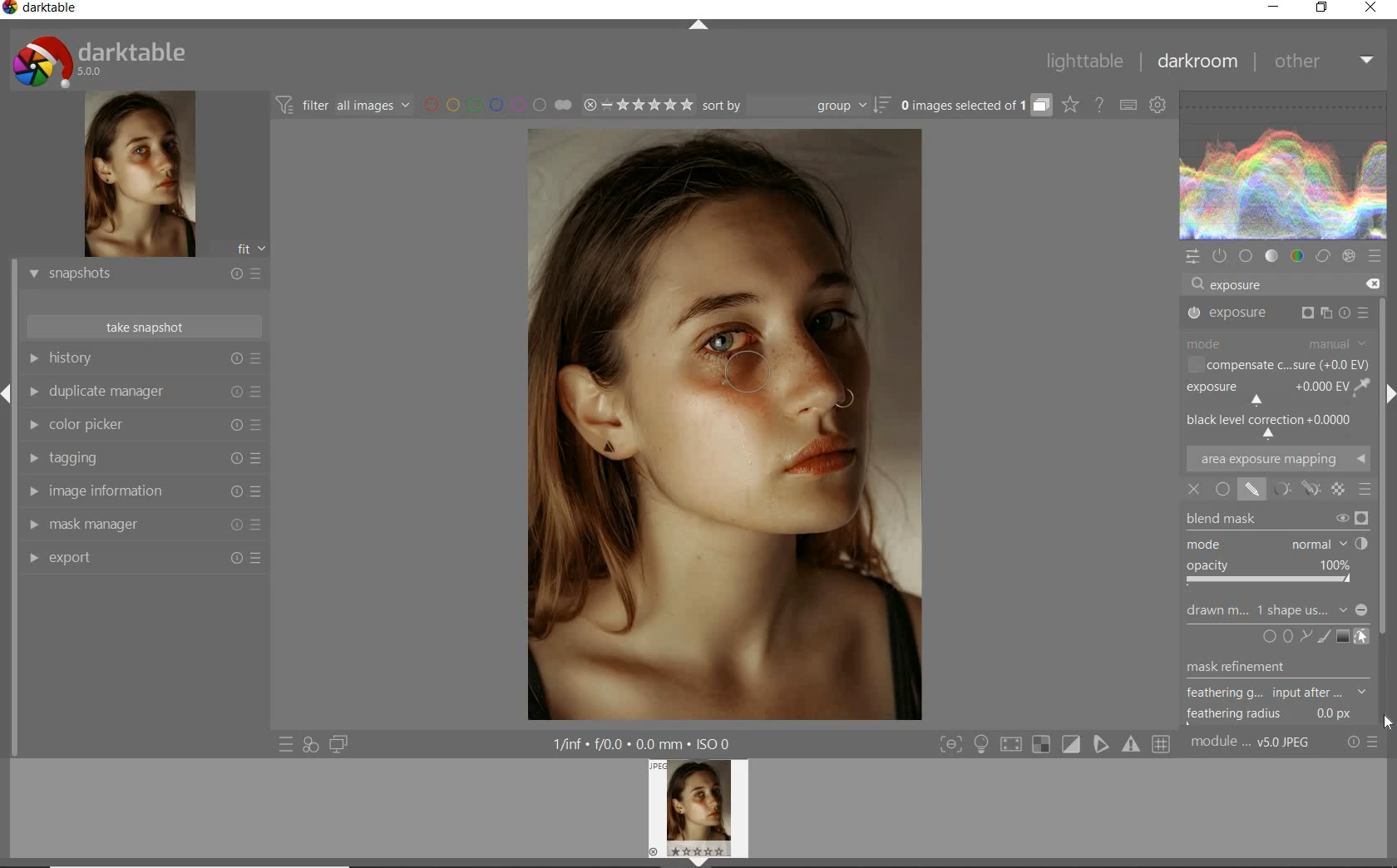  I want to click on EXPOSURE, so click(1261, 393).